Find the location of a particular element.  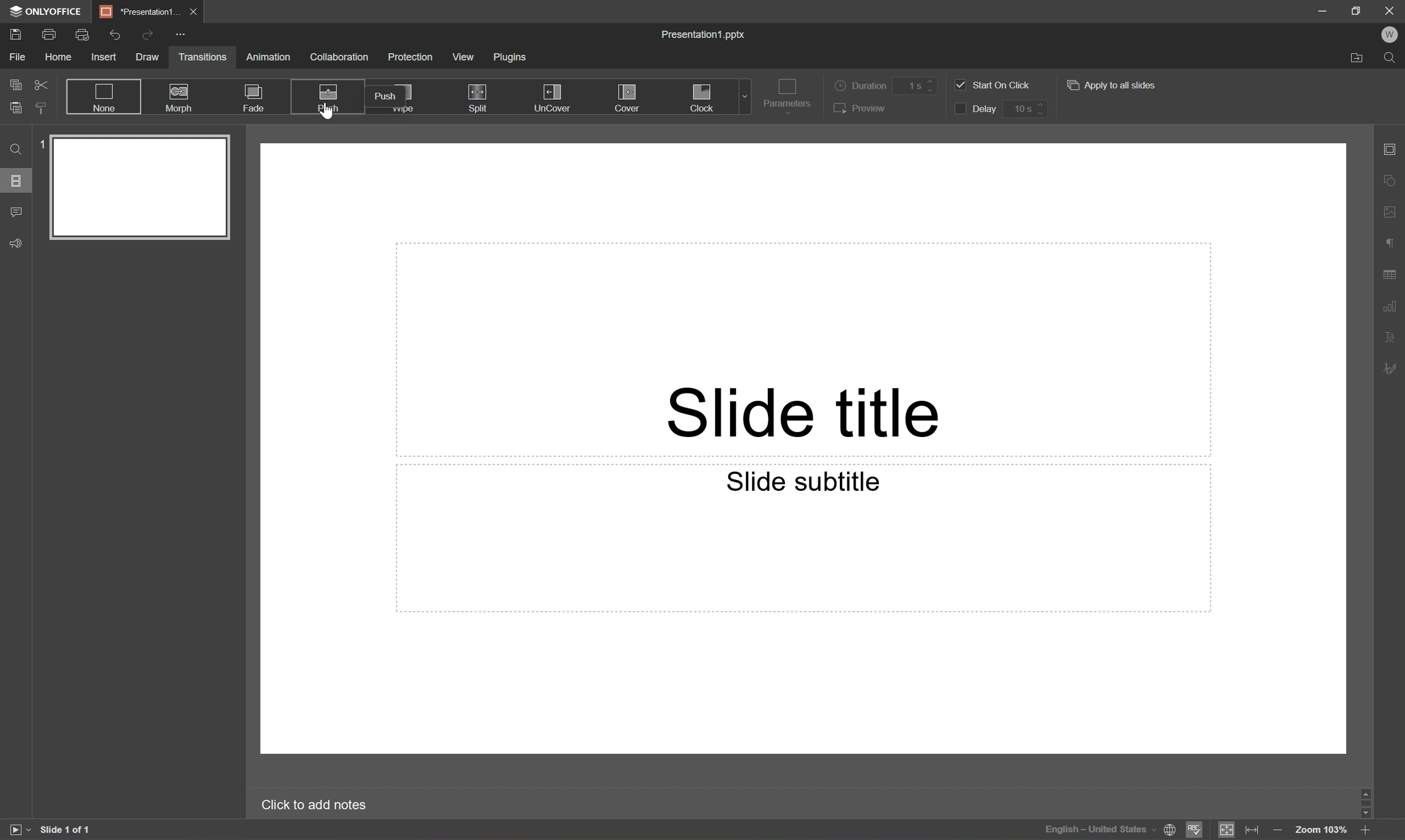

Find is located at coordinates (16, 150).